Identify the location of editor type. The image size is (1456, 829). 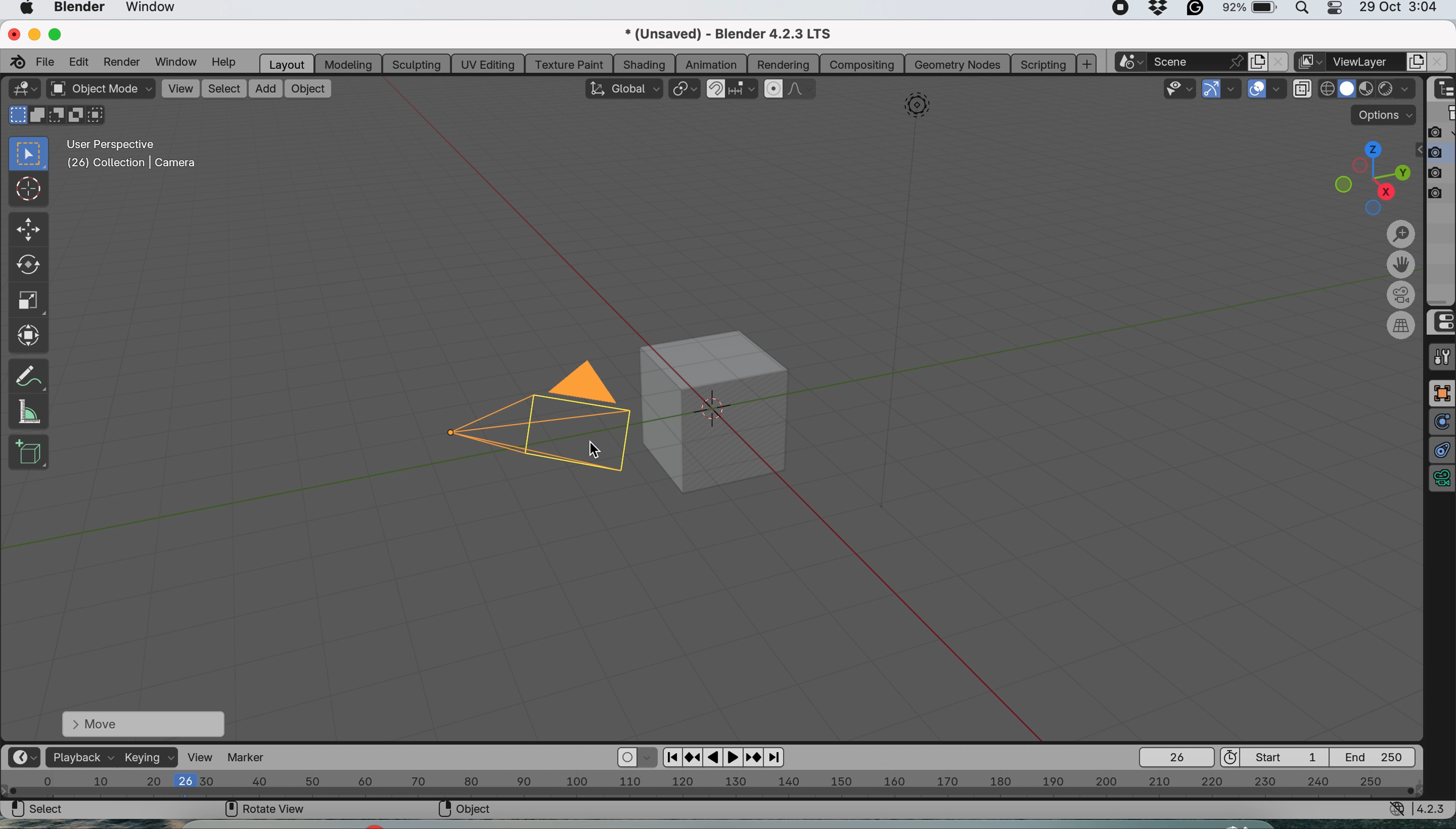
(23, 89).